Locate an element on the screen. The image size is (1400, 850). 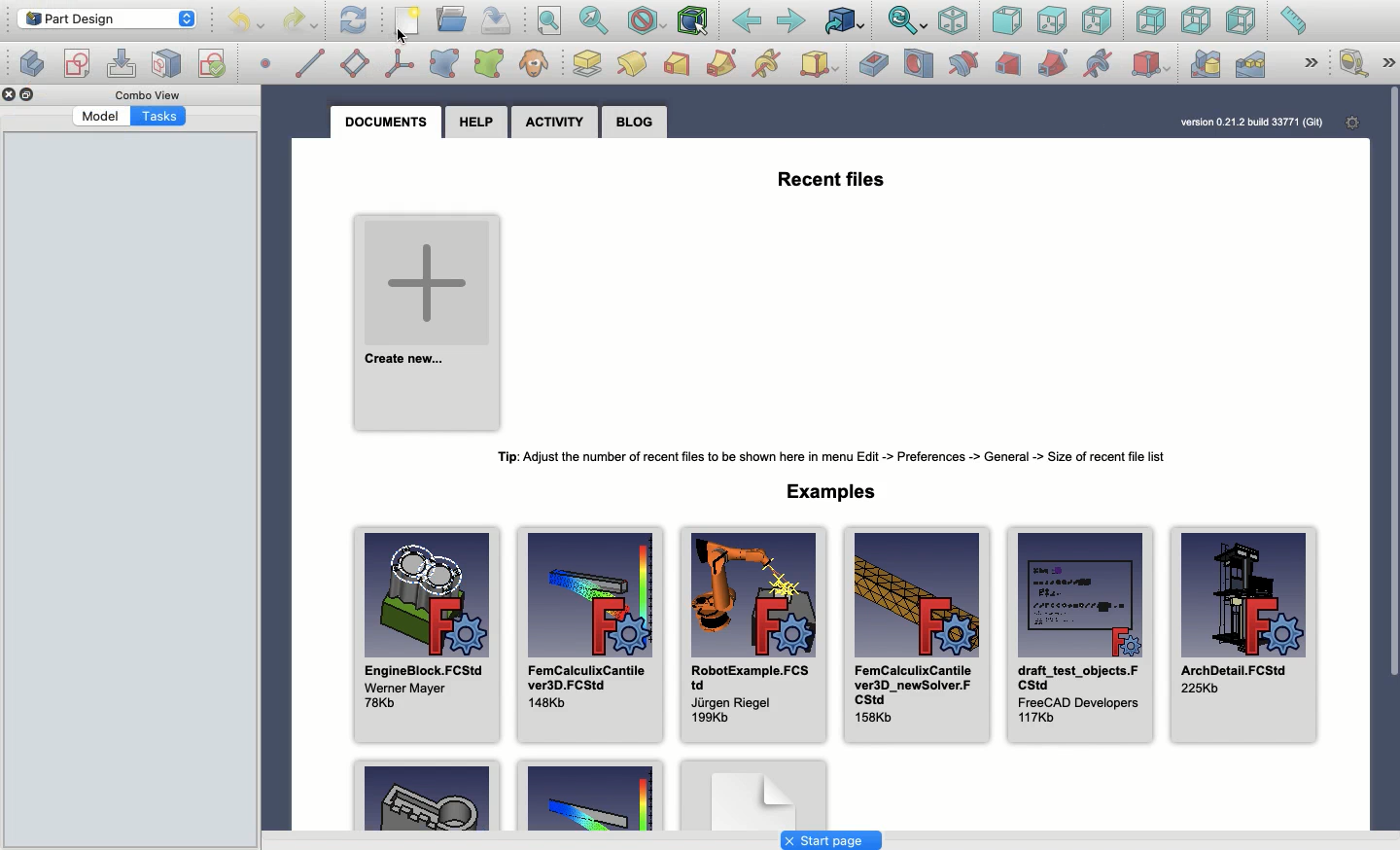
Expand is located at coordinates (1313, 62).